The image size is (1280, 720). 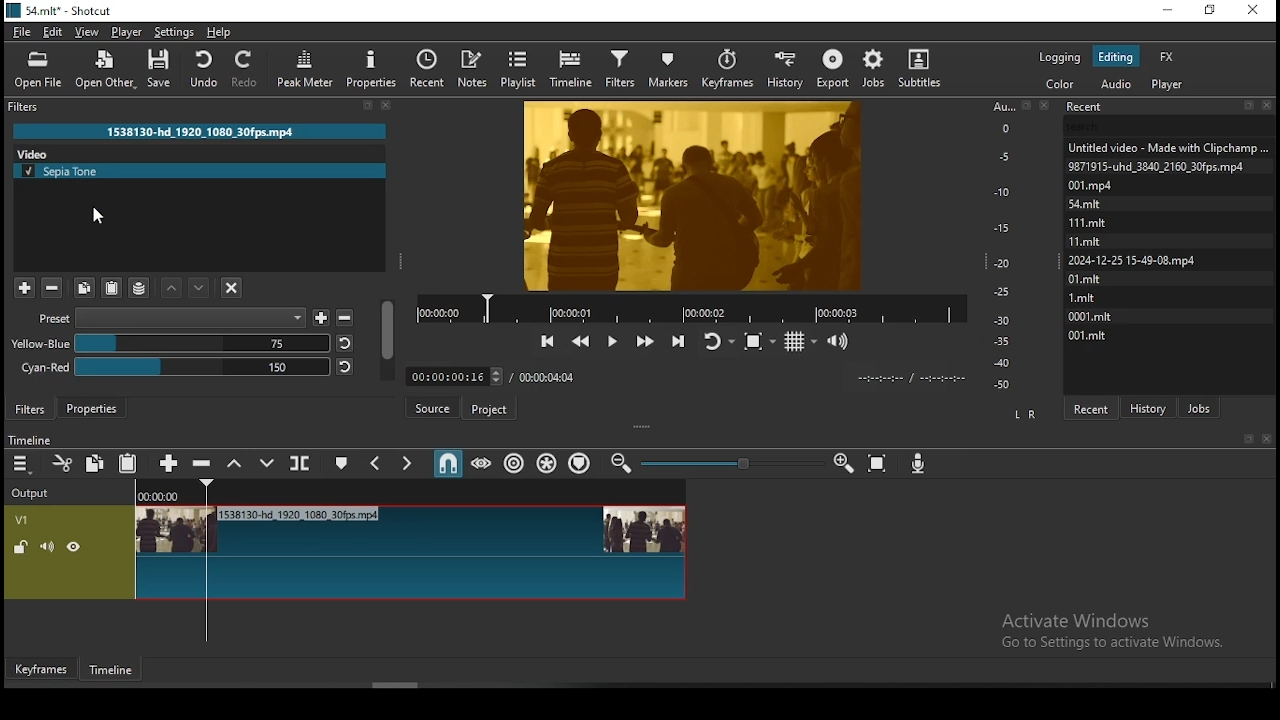 What do you see at coordinates (835, 67) in the screenshot?
I see `export` at bounding box center [835, 67].